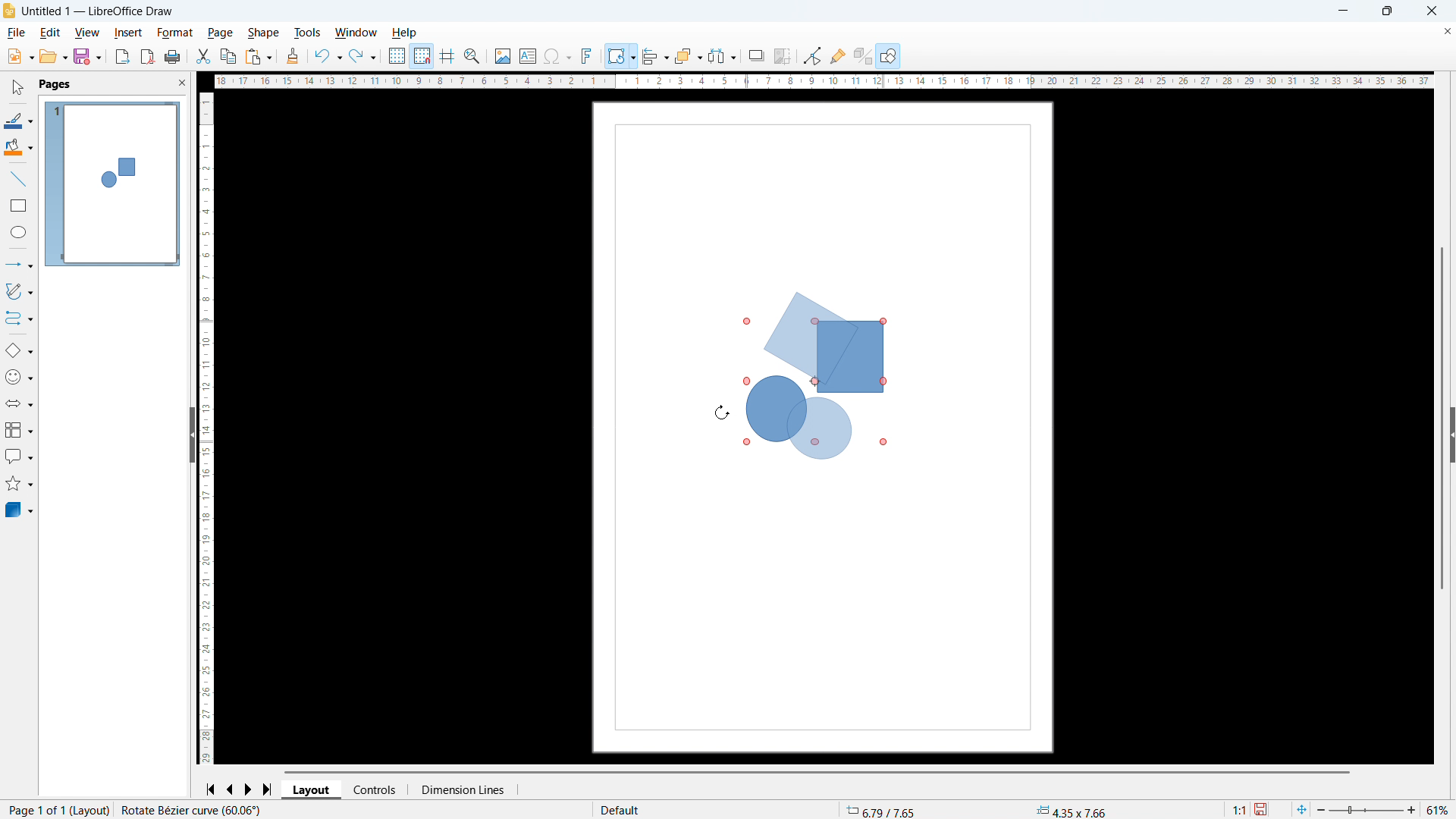  Describe the element at coordinates (818, 772) in the screenshot. I see `Horizontal scroll bar ` at that location.